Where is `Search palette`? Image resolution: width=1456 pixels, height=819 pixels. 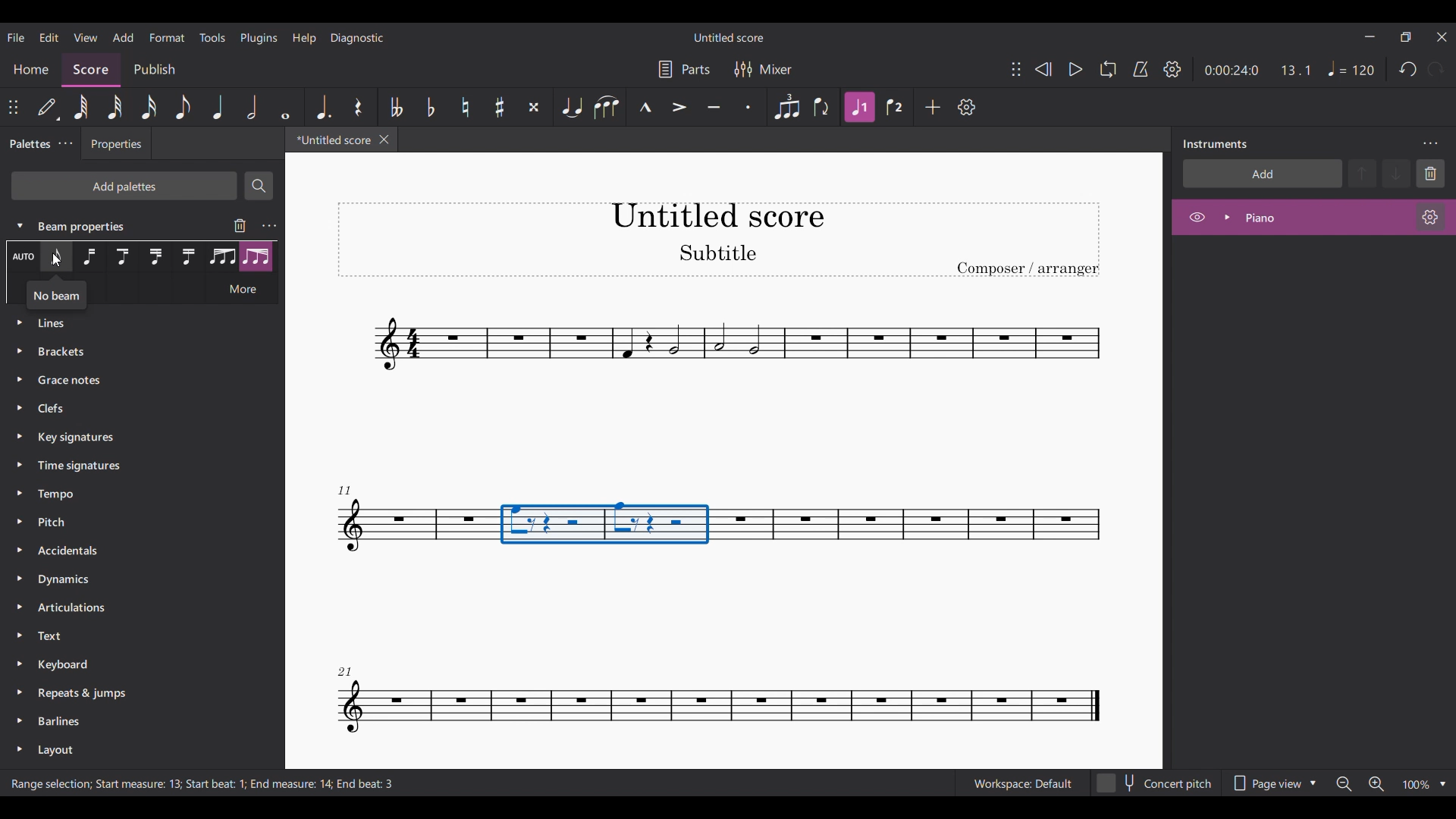 Search palette is located at coordinates (259, 185).